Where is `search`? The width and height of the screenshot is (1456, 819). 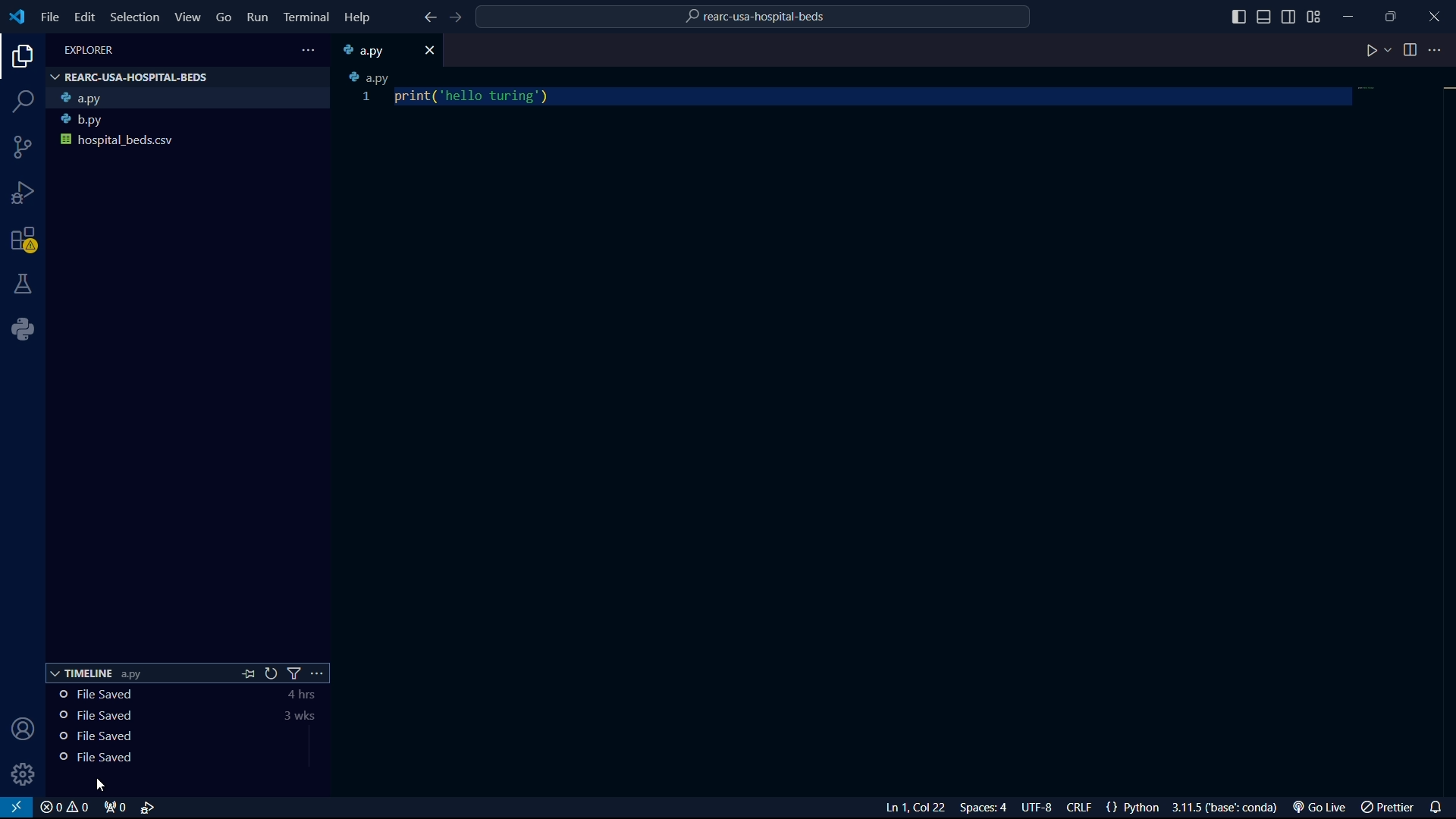
search is located at coordinates (21, 100).